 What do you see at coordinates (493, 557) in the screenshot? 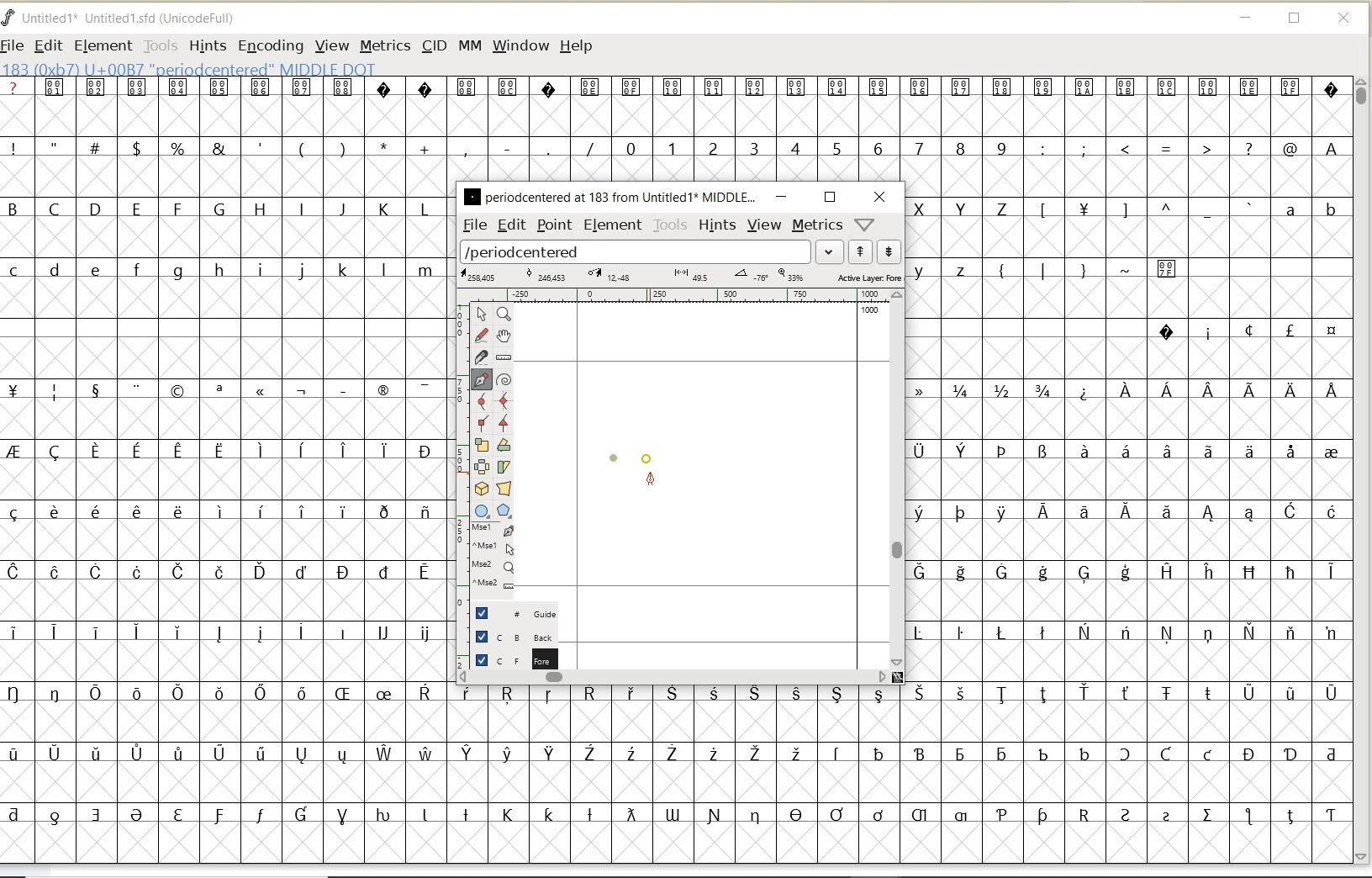
I see `cursor events on the opened outline window` at bounding box center [493, 557].